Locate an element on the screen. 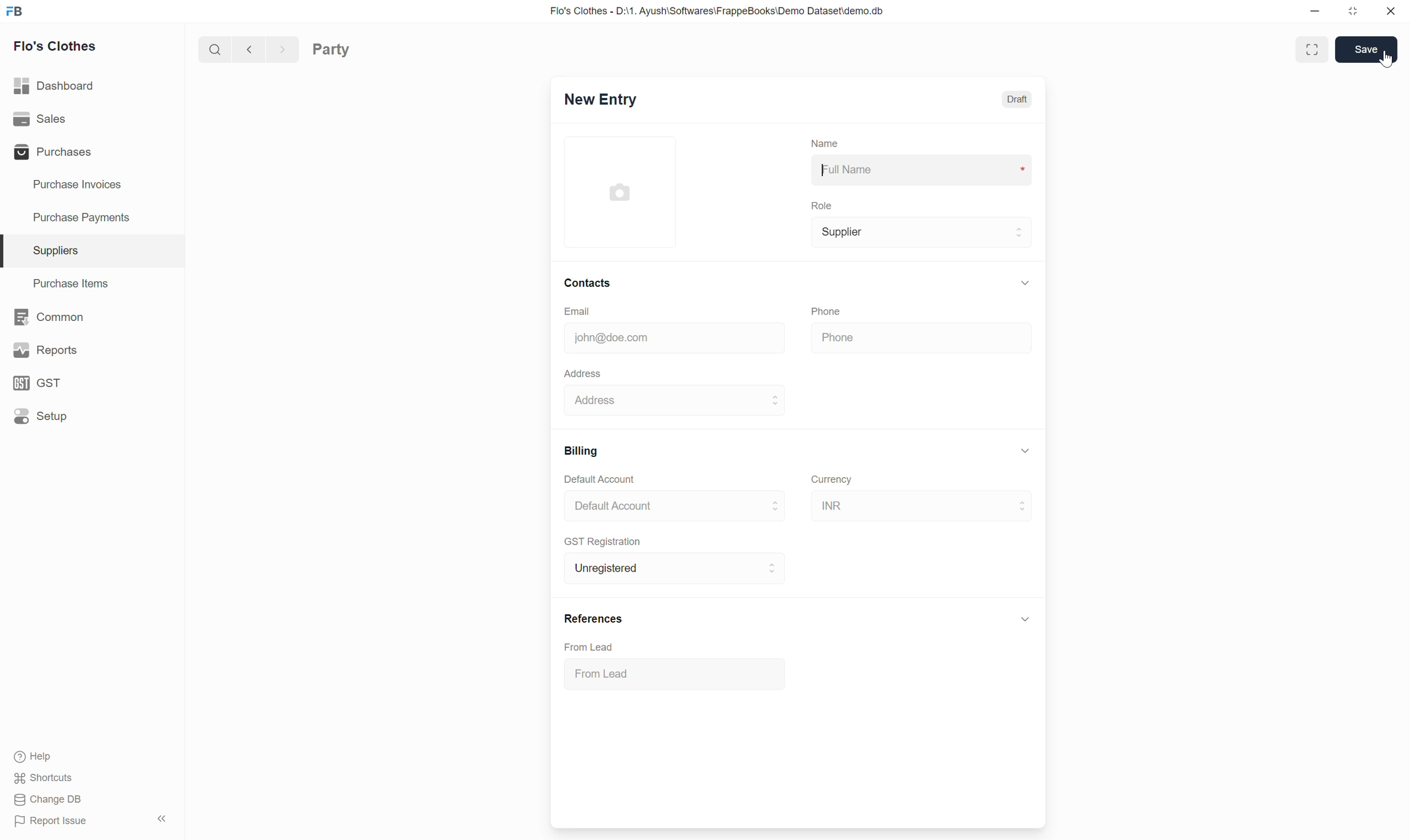  Previous is located at coordinates (249, 49).